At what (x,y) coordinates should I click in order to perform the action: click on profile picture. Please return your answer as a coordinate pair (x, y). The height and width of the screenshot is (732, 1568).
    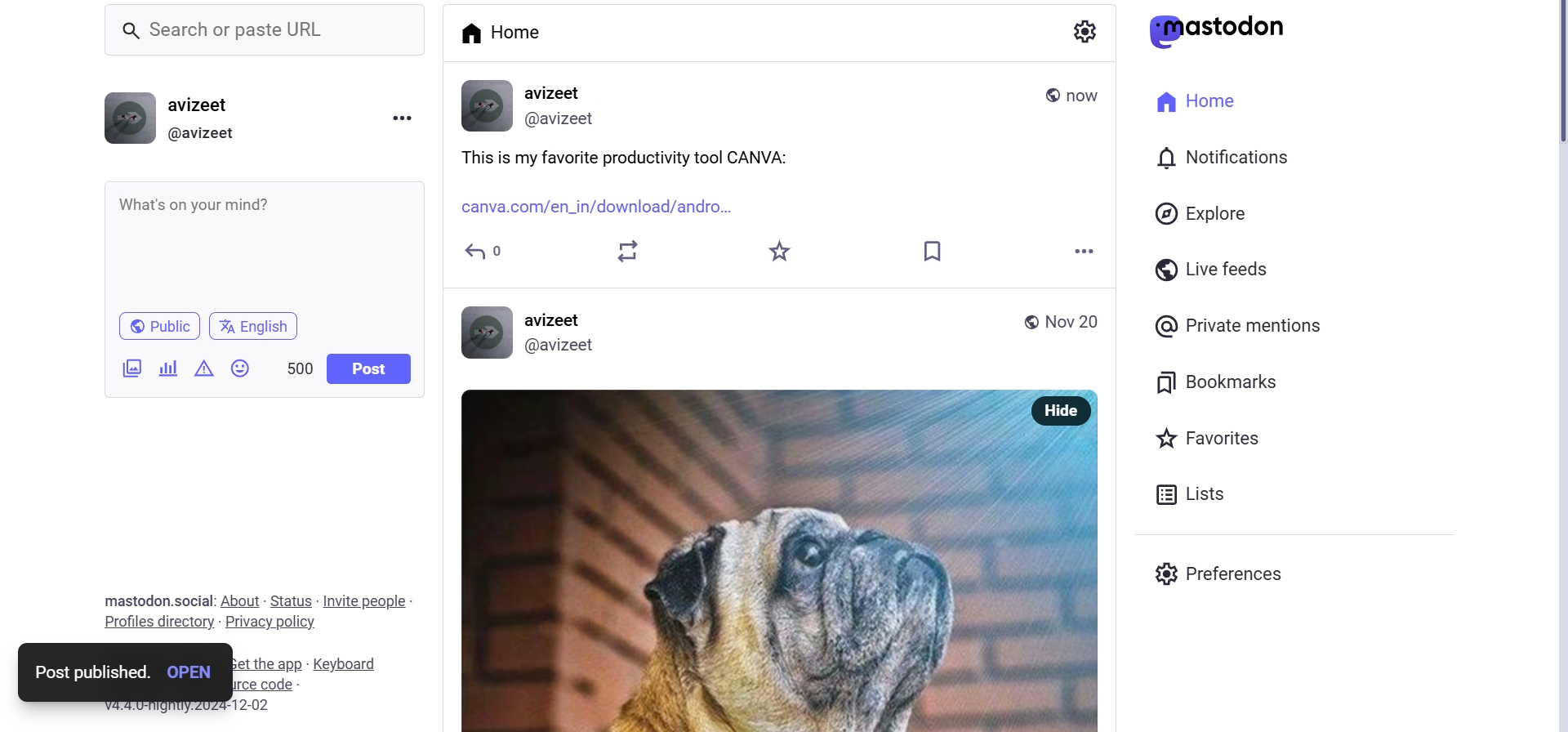
    Looking at the image, I should click on (127, 118).